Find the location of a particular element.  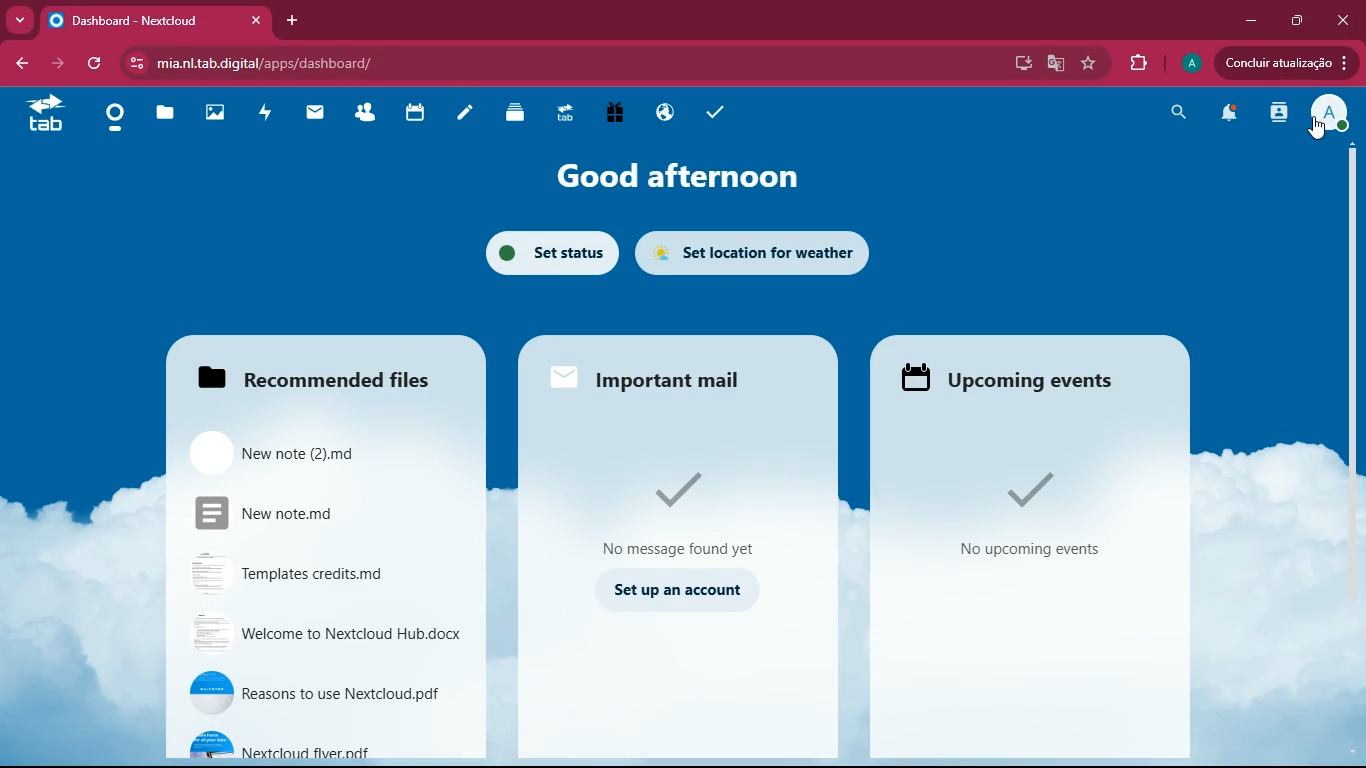

search is located at coordinates (1175, 112).